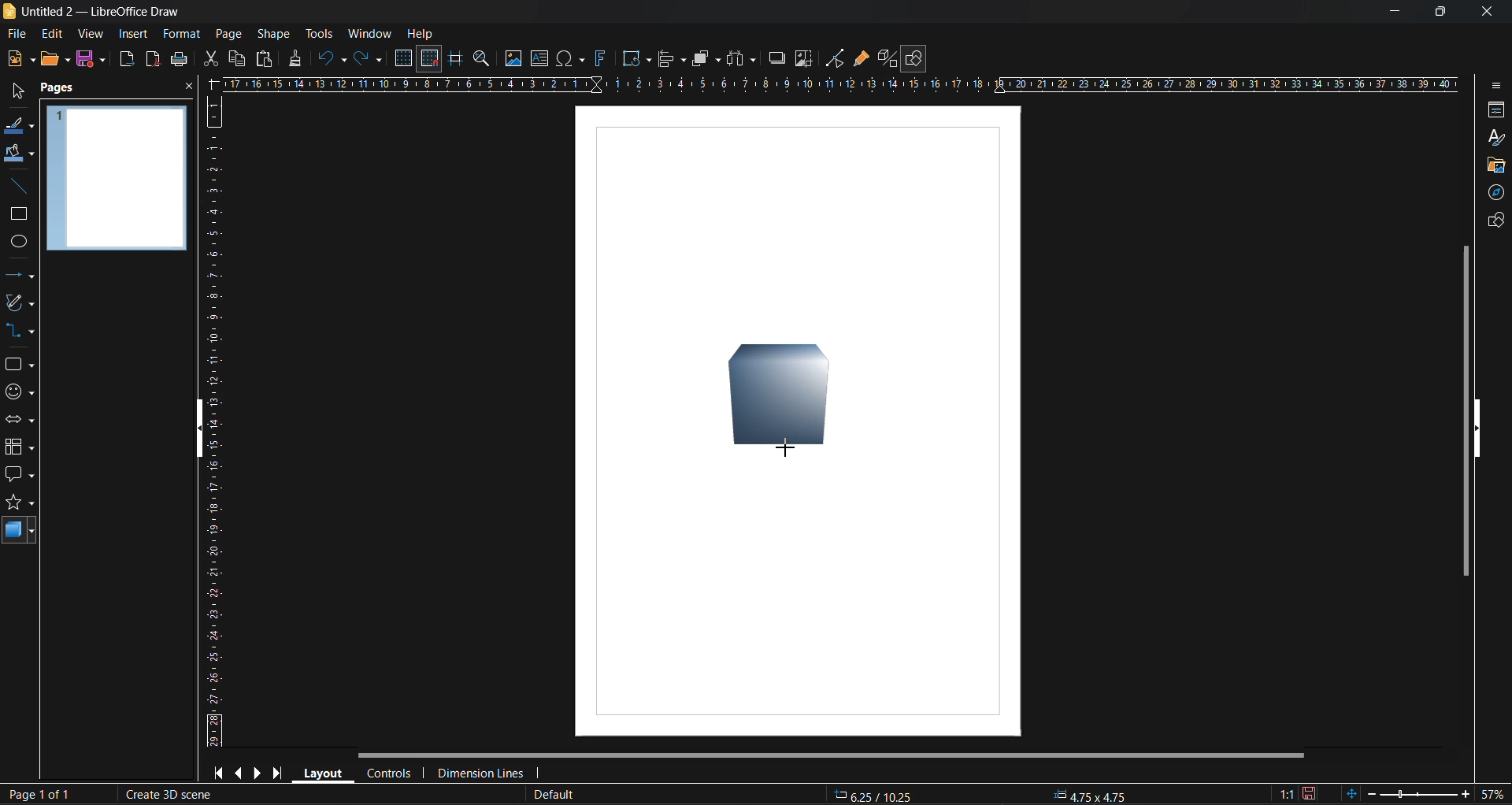 The height and width of the screenshot is (805, 1512). What do you see at coordinates (1492, 223) in the screenshot?
I see `shapes` at bounding box center [1492, 223].